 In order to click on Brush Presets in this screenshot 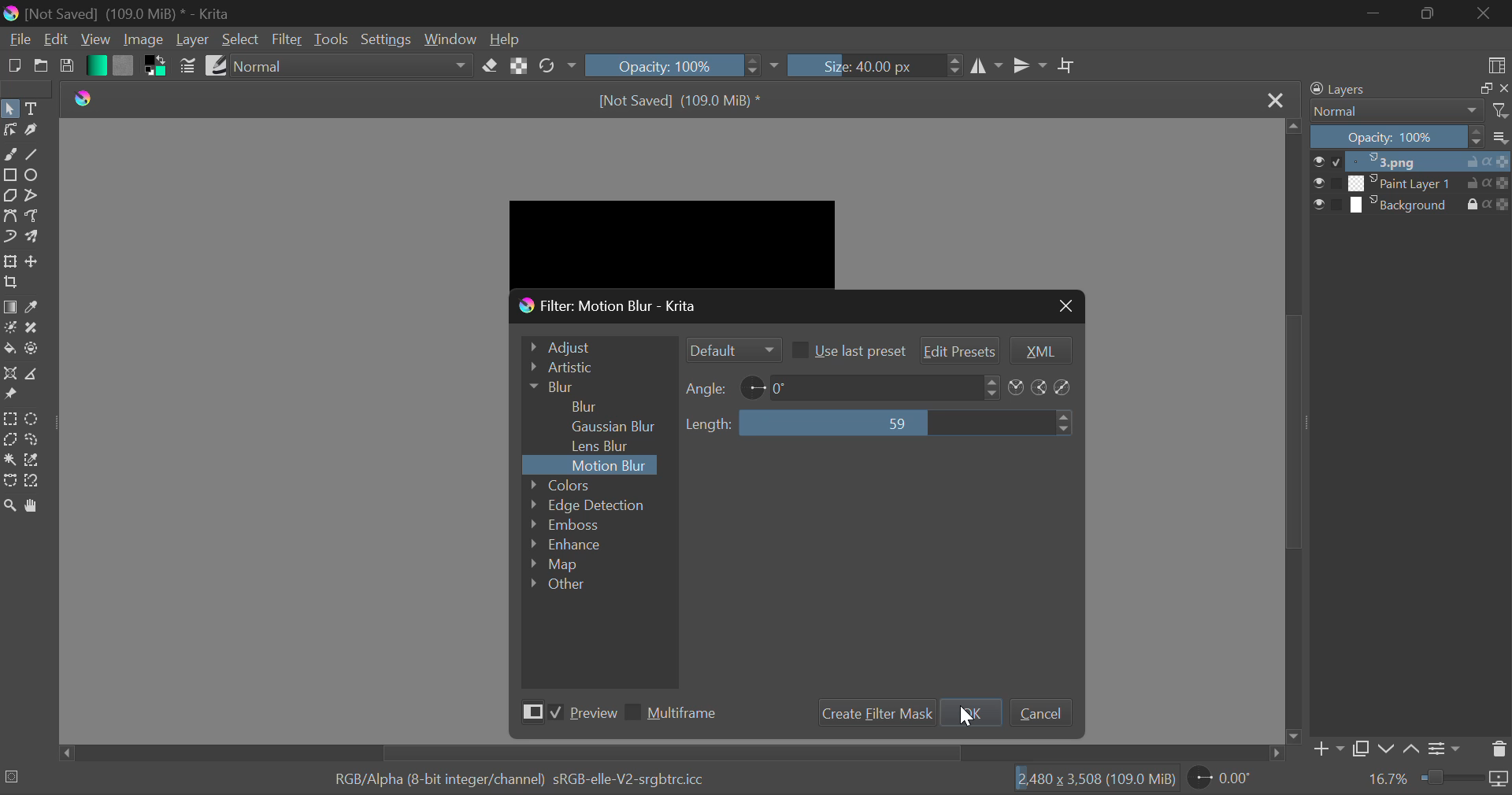, I will do `click(216, 65)`.